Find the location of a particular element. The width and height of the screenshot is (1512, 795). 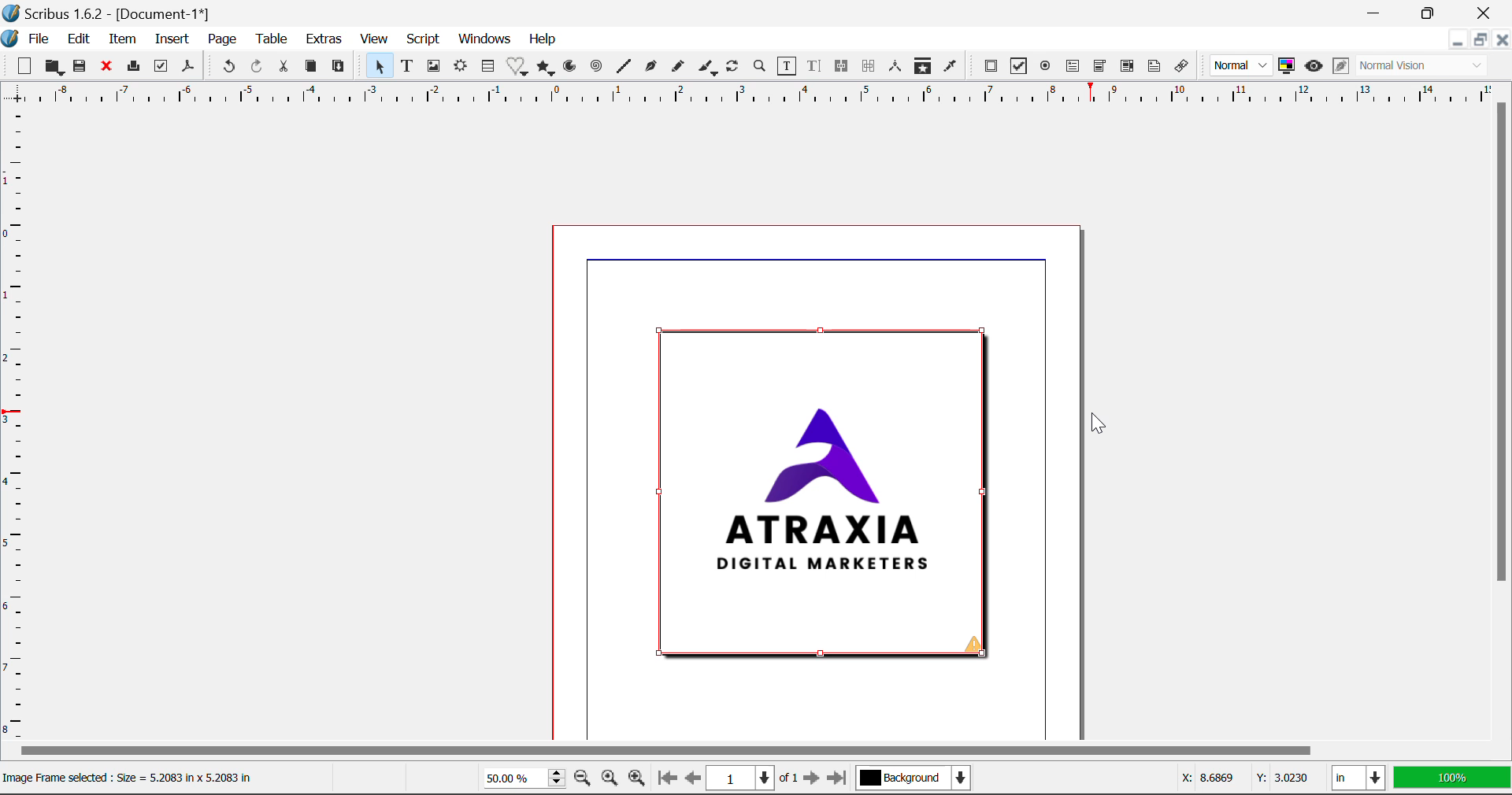

Edit is located at coordinates (79, 41).